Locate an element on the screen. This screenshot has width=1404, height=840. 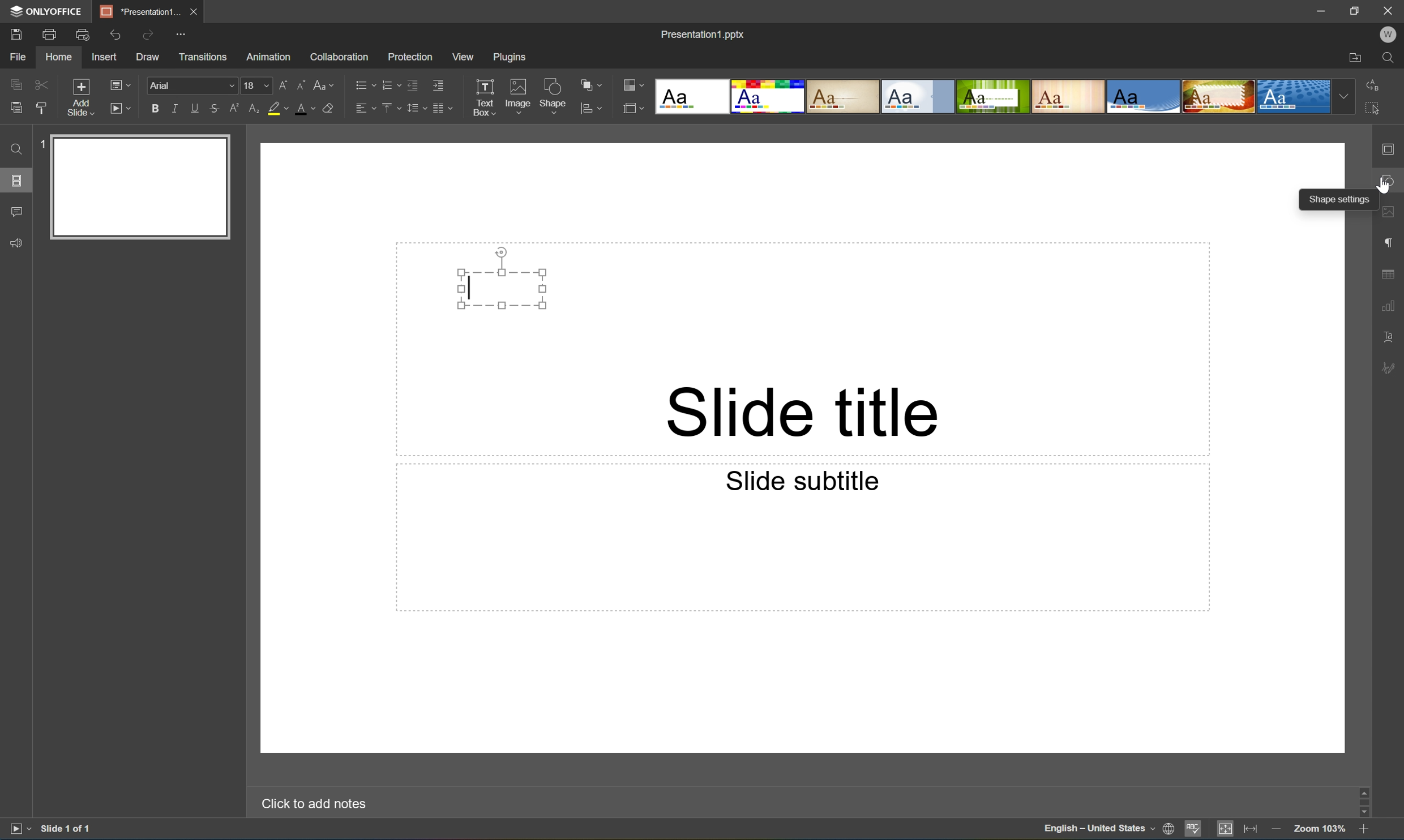
Strikethrough is located at coordinates (214, 109).